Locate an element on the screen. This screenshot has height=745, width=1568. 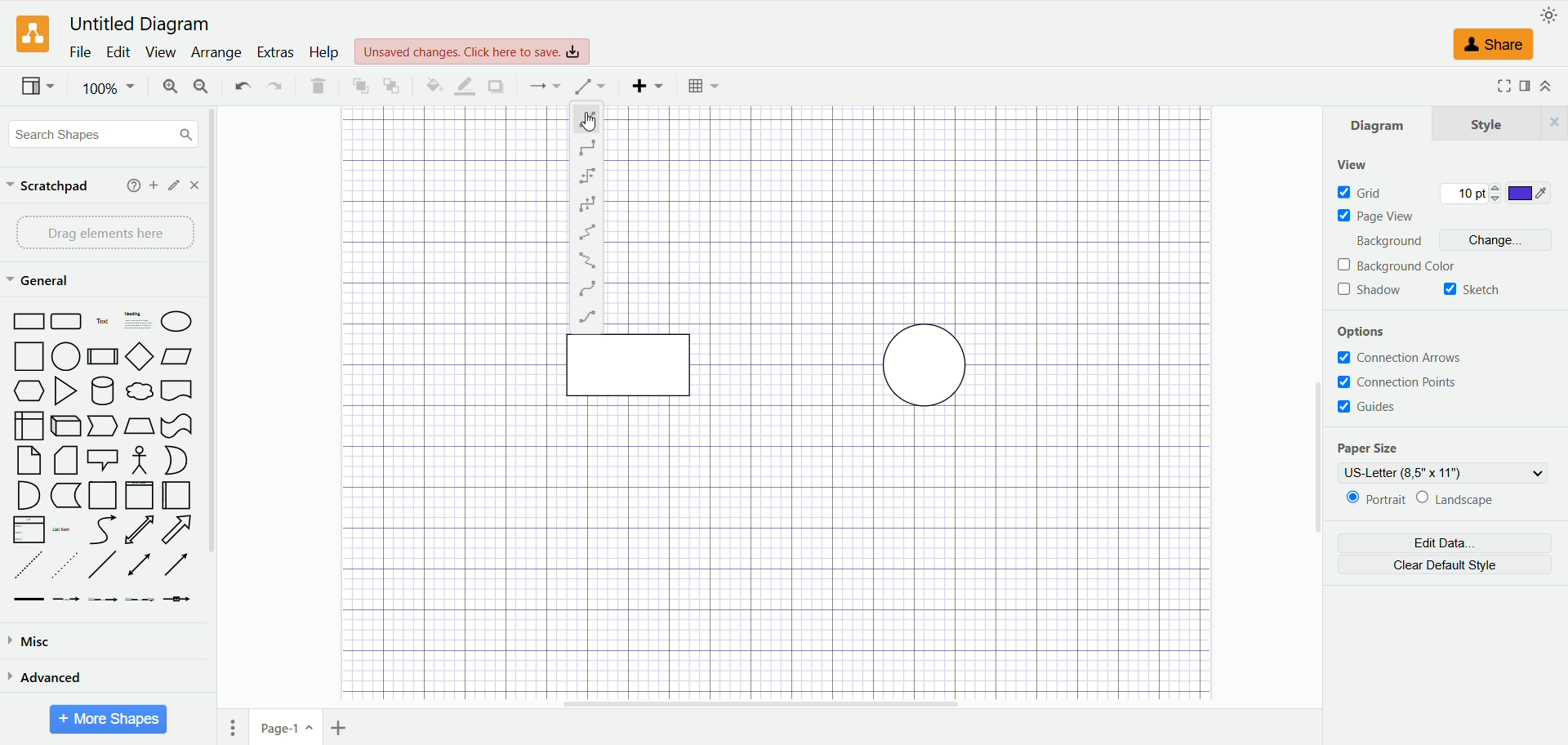
background is located at coordinates (1383, 243).